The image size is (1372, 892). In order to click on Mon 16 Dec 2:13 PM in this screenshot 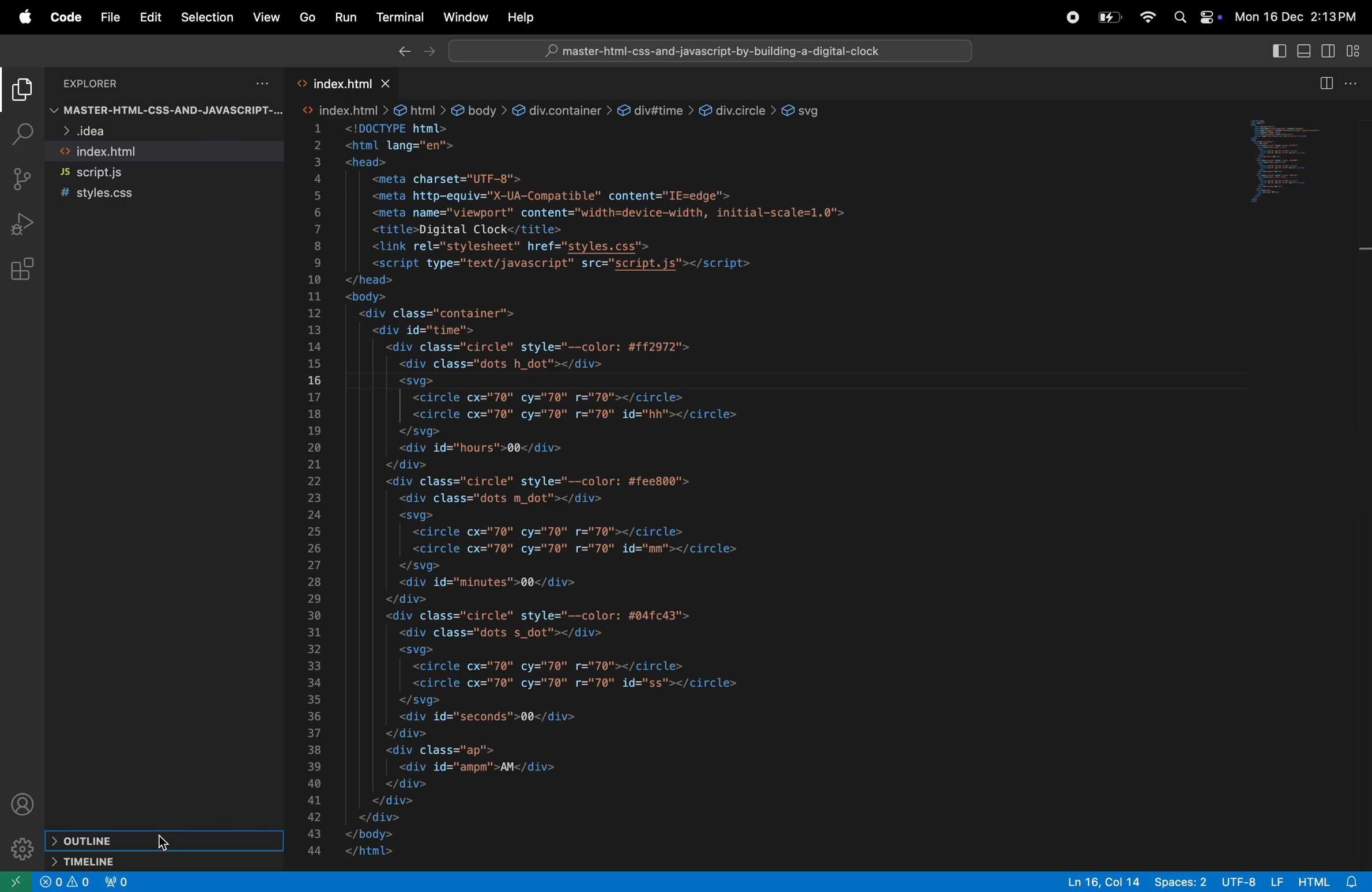, I will do `click(1299, 14)`.